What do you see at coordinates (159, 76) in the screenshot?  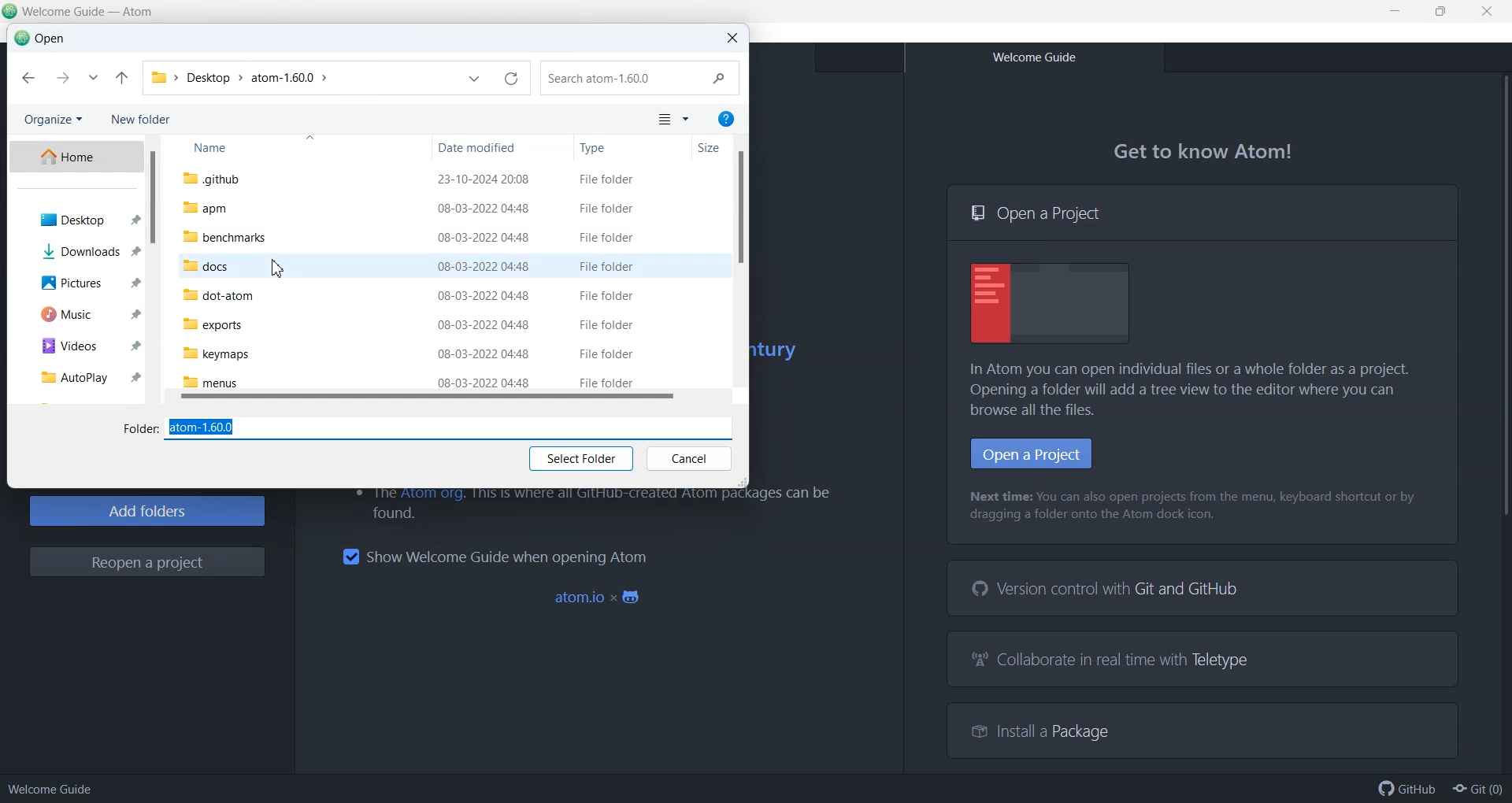 I see `Folder` at bounding box center [159, 76].